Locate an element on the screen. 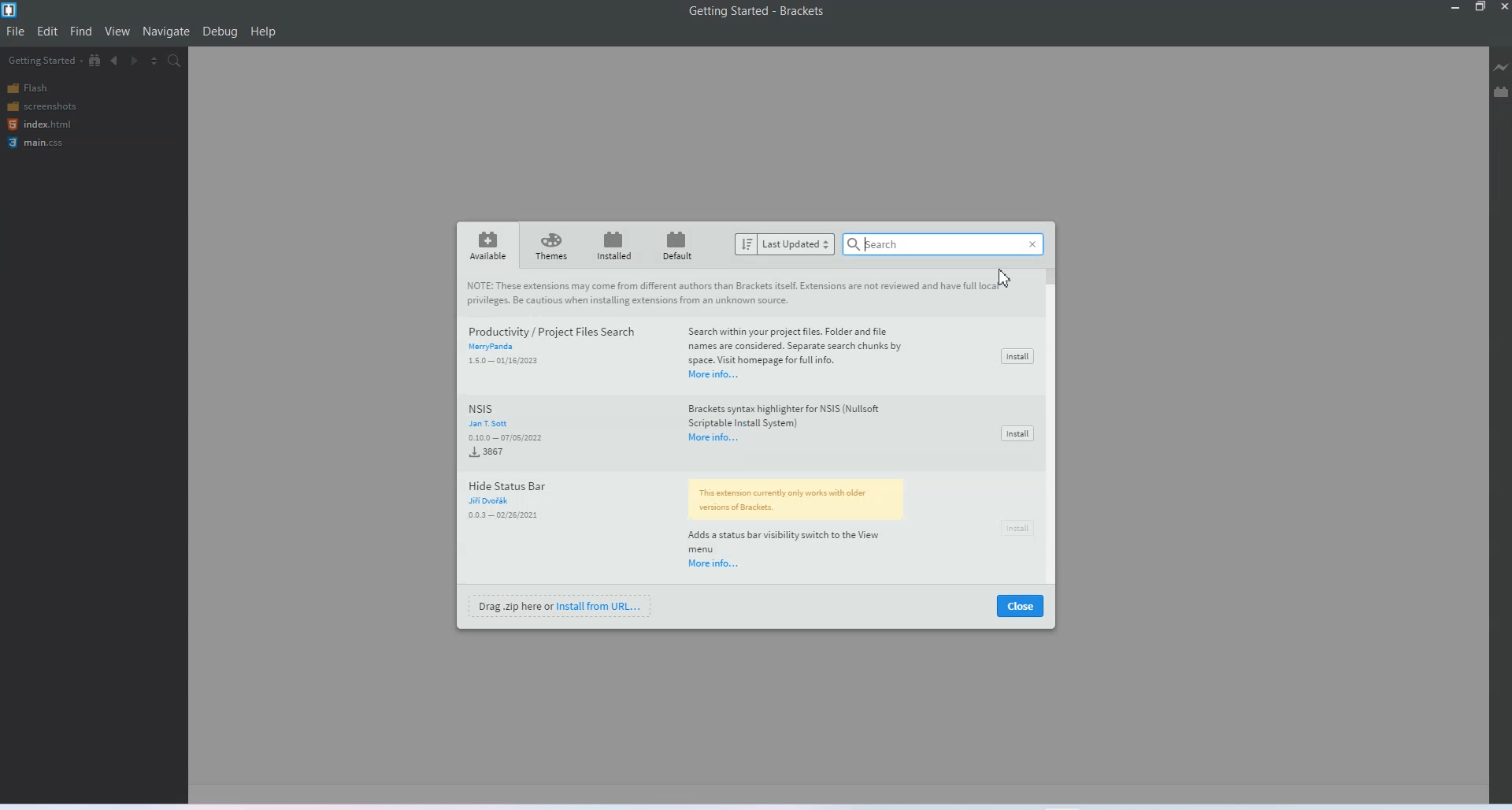 Image resolution: width=1512 pixels, height=810 pixels. Note is located at coordinates (795, 500).